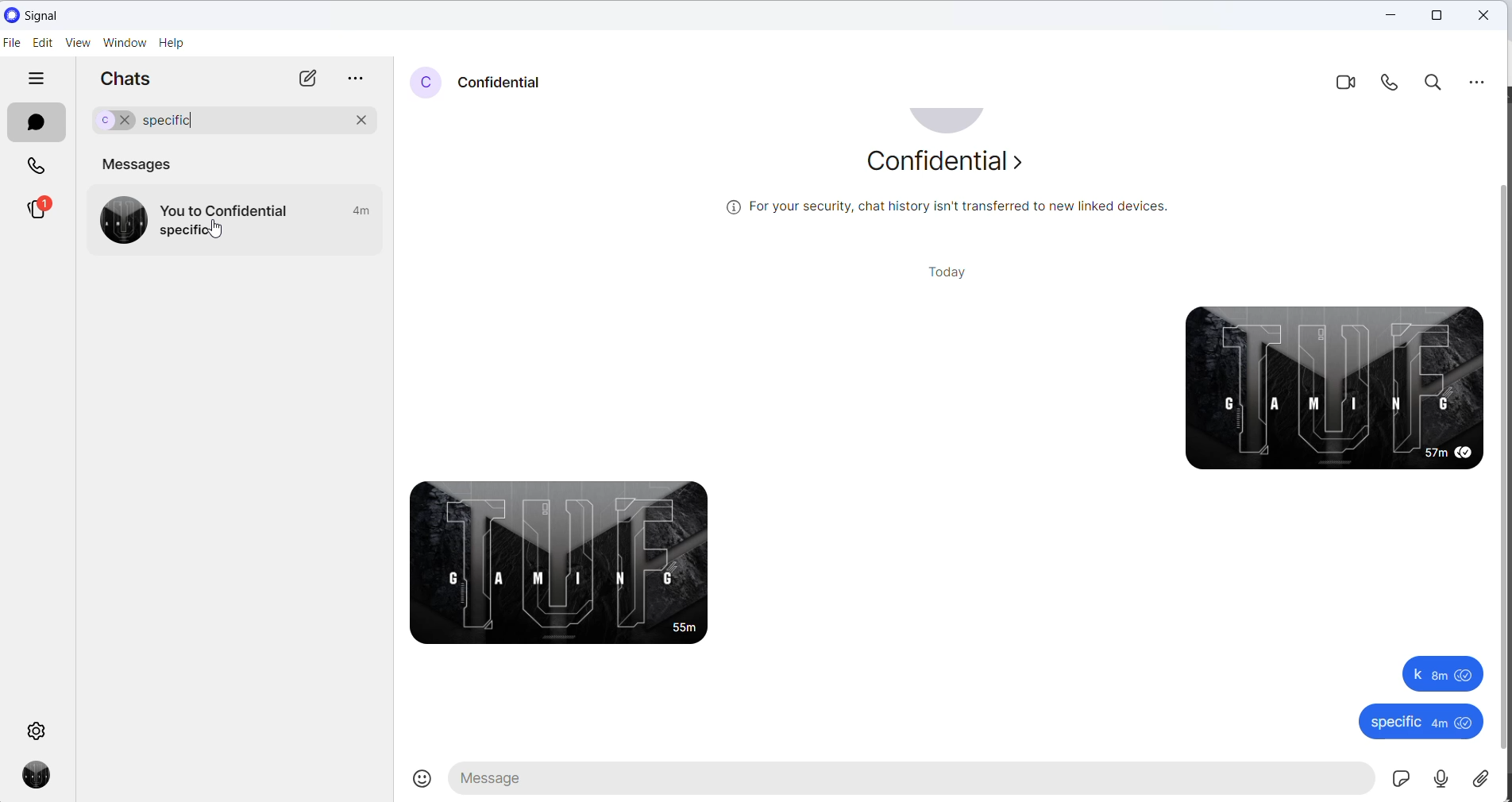 The width and height of the screenshot is (1512, 802). Describe the element at coordinates (44, 777) in the screenshot. I see `profile` at that location.